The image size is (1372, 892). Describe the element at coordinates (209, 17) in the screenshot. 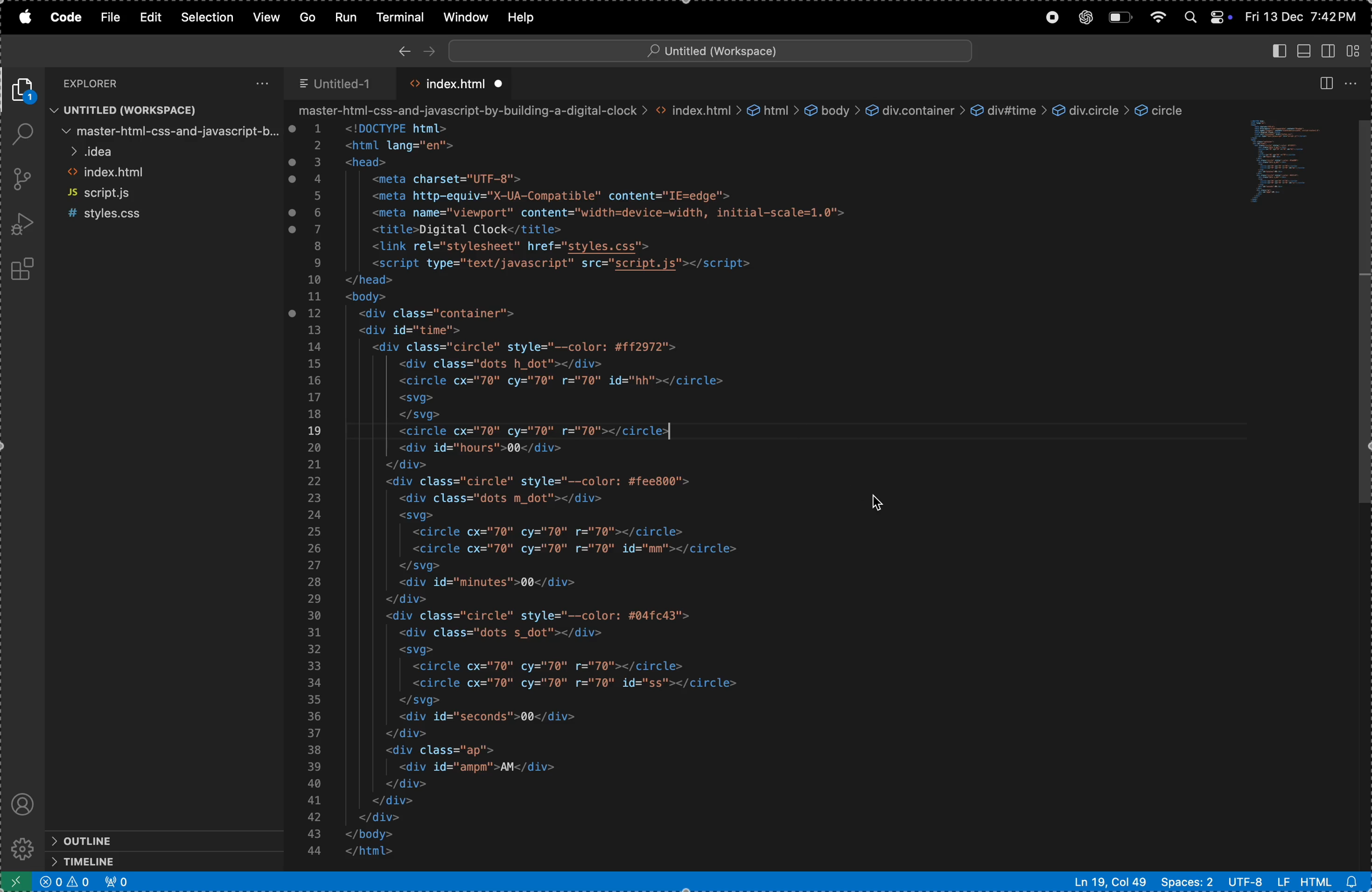

I see `Selection` at that location.